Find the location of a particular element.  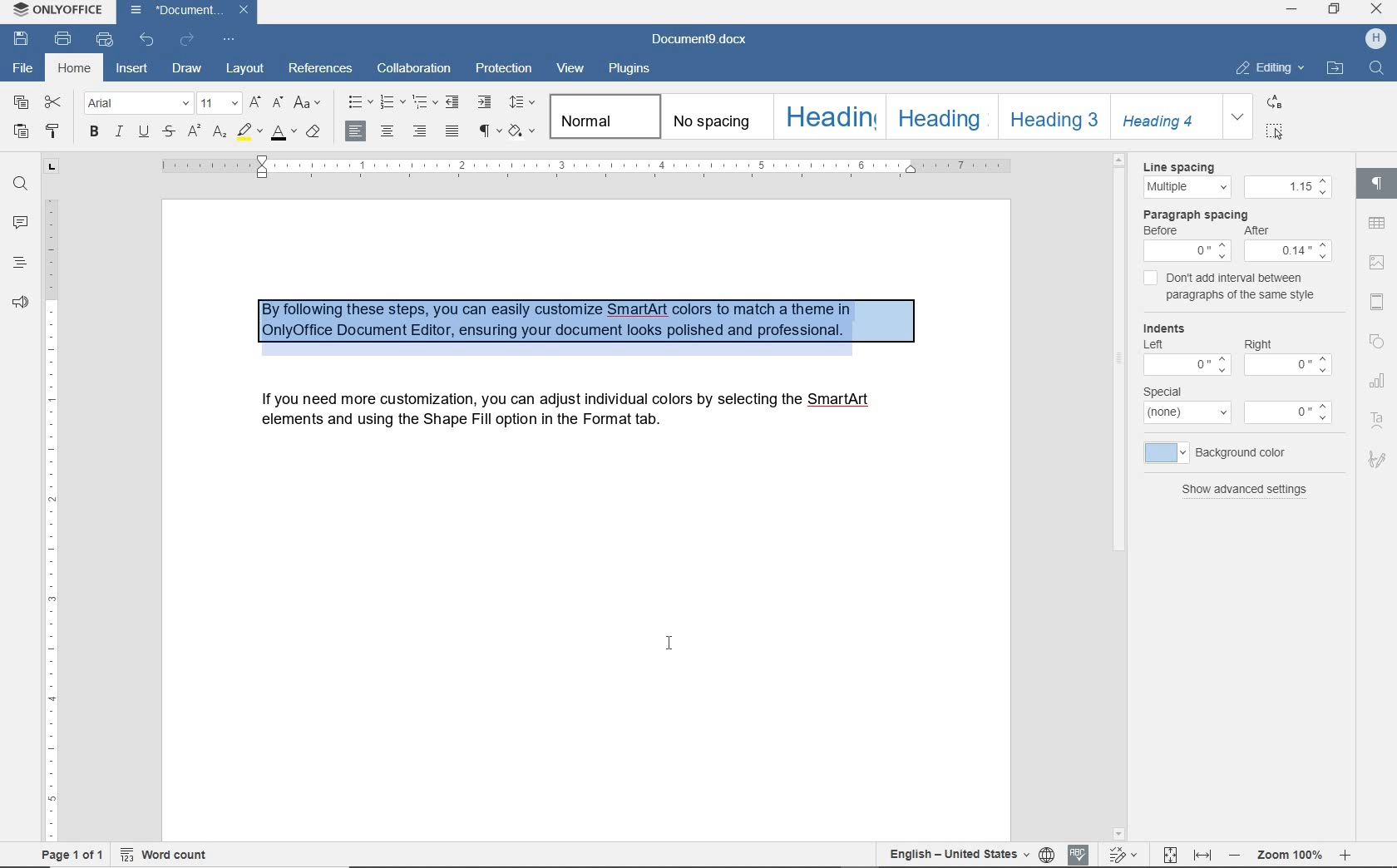

nonprinting characters is located at coordinates (490, 132).